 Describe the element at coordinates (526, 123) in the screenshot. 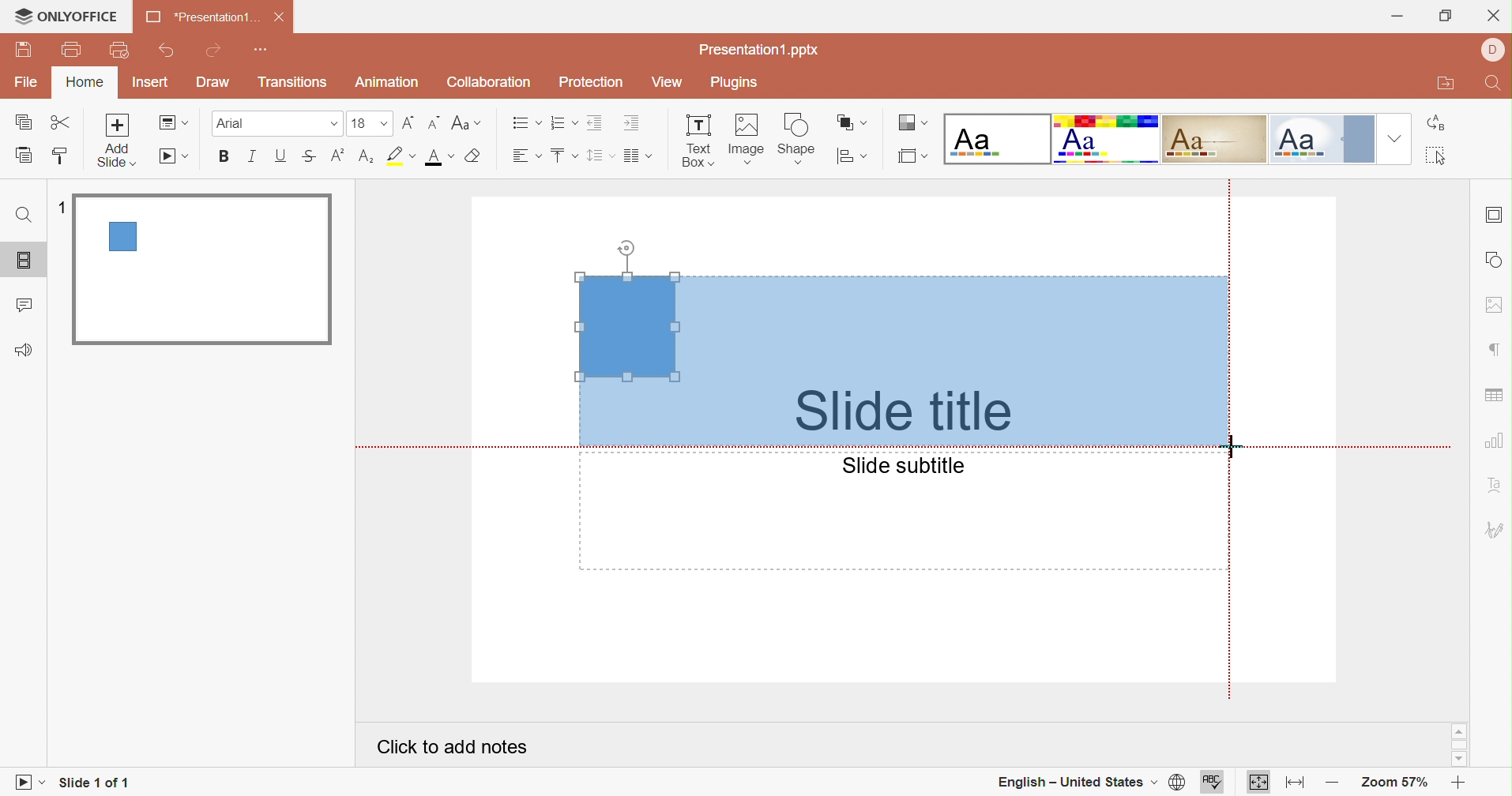

I see `Bullets` at that location.